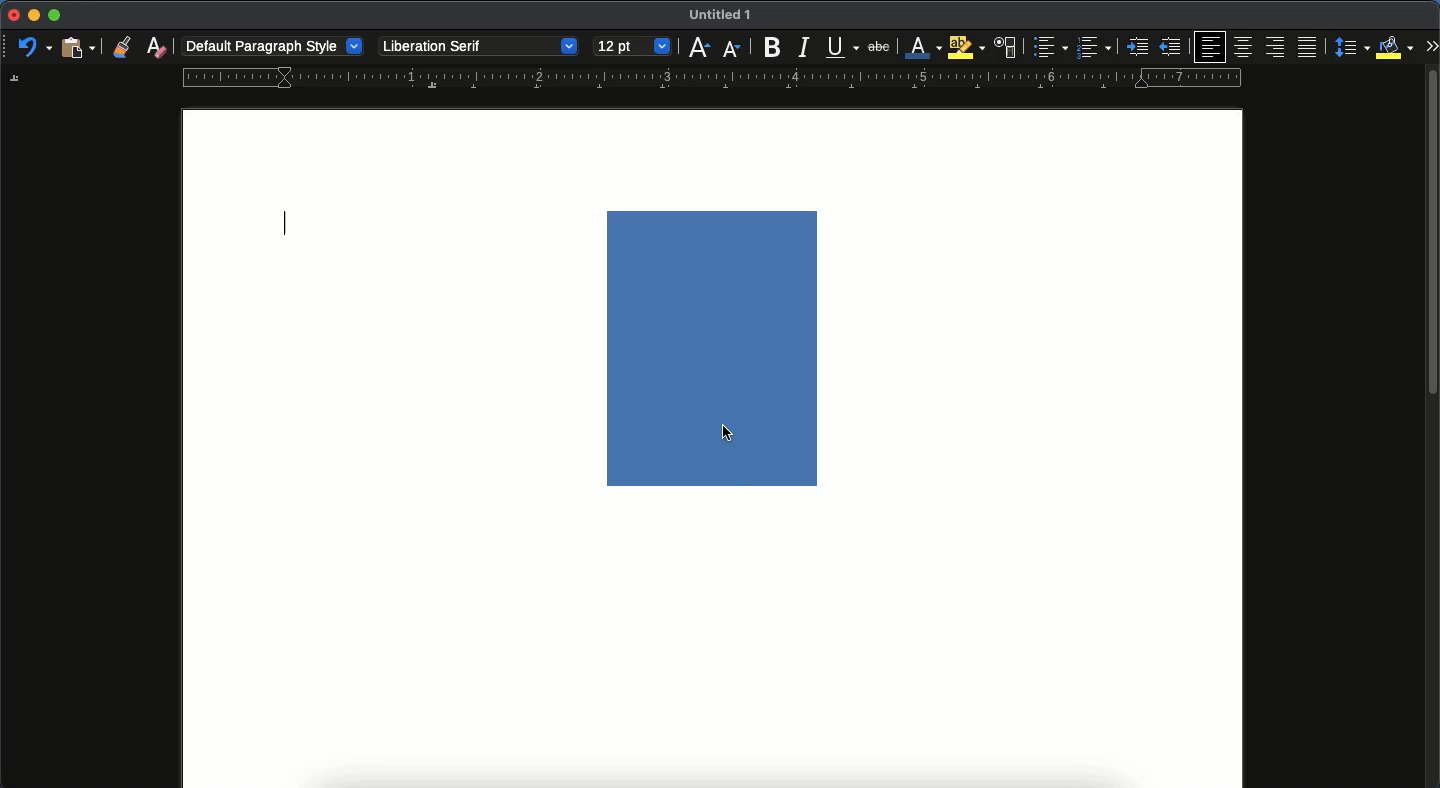 The image size is (1440, 788). What do you see at coordinates (713, 78) in the screenshot?
I see `guide` at bounding box center [713, 78].